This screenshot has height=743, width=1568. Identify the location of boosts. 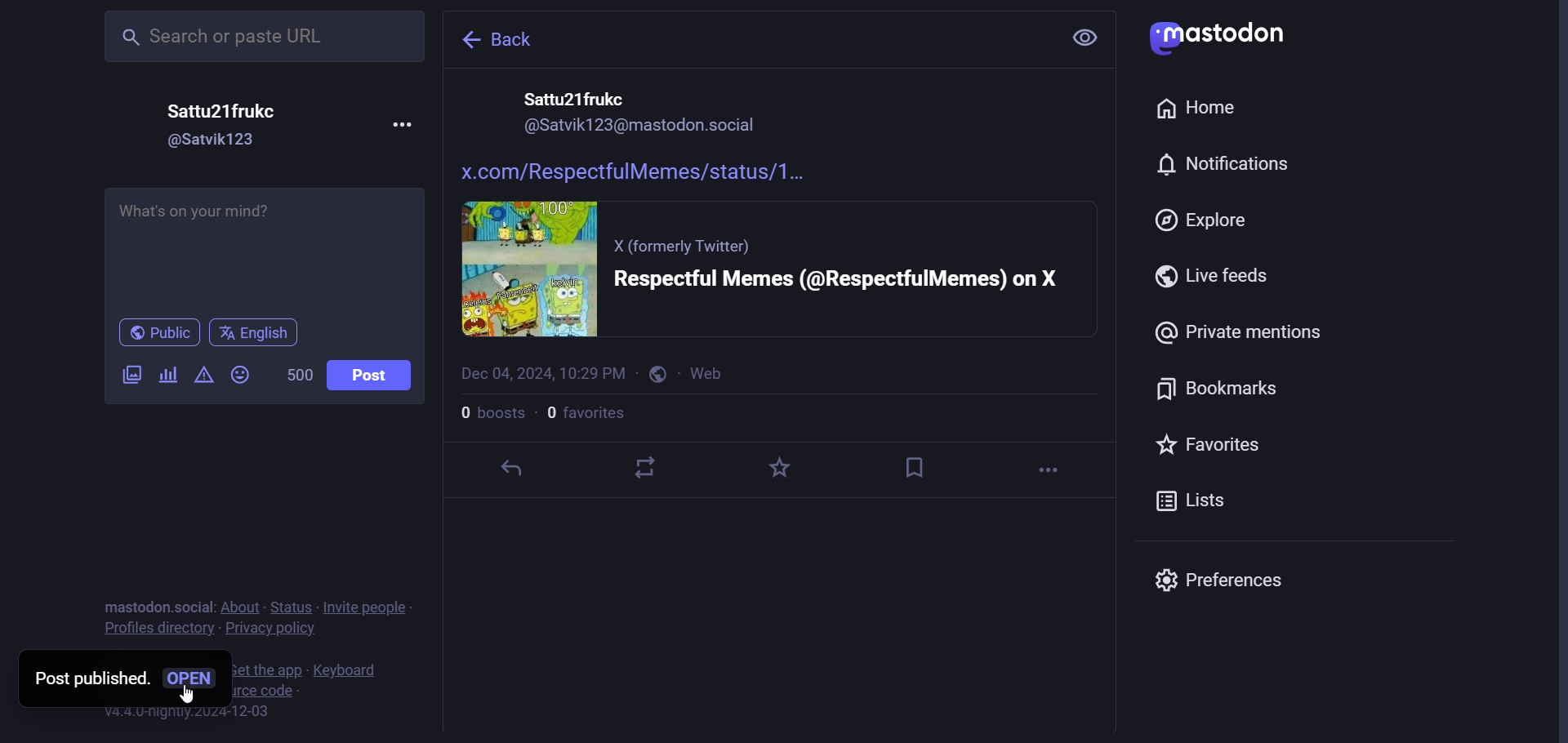
(484, 413).